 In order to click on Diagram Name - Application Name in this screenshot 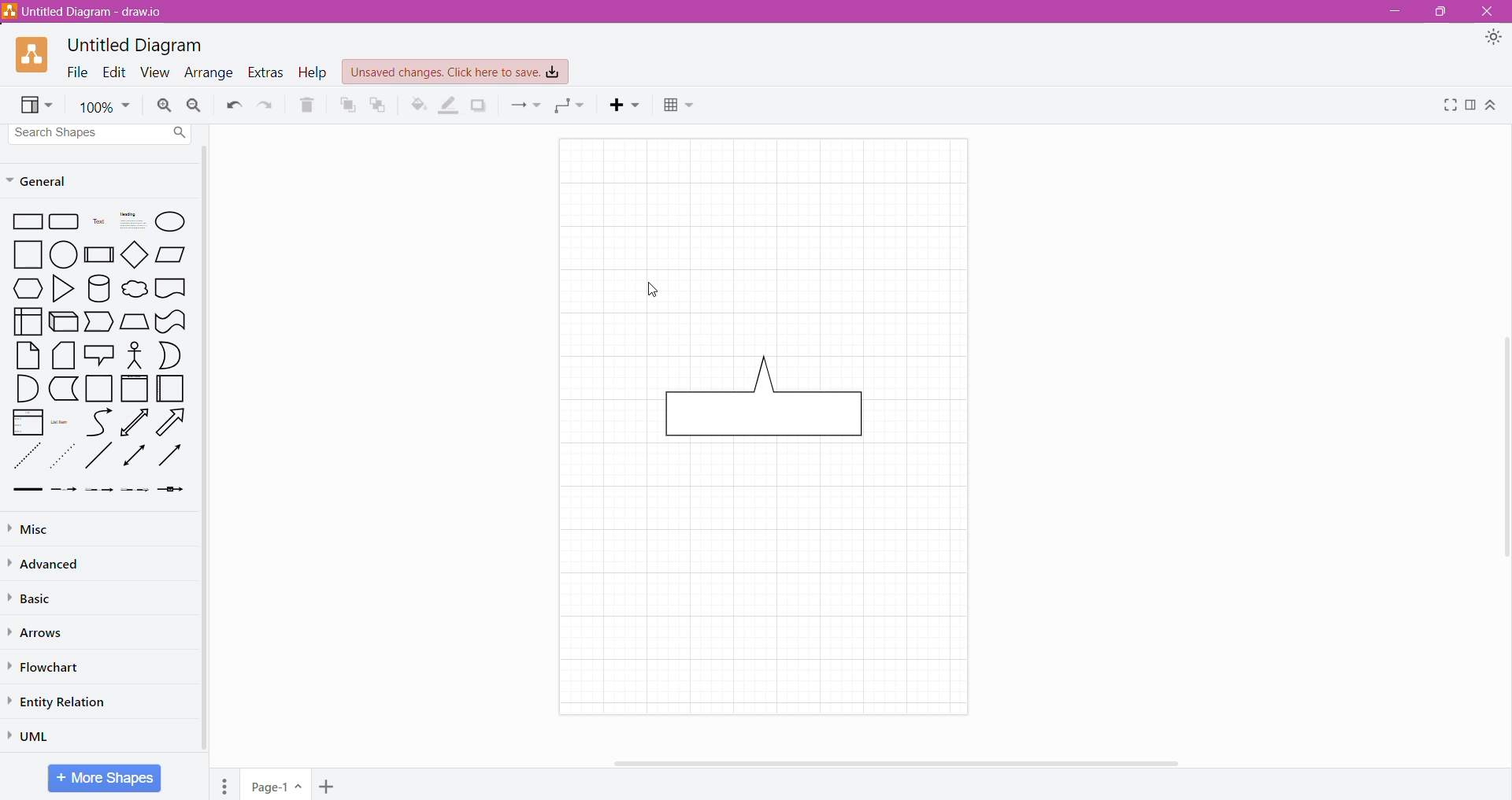, I will do `click(85, 11)`.